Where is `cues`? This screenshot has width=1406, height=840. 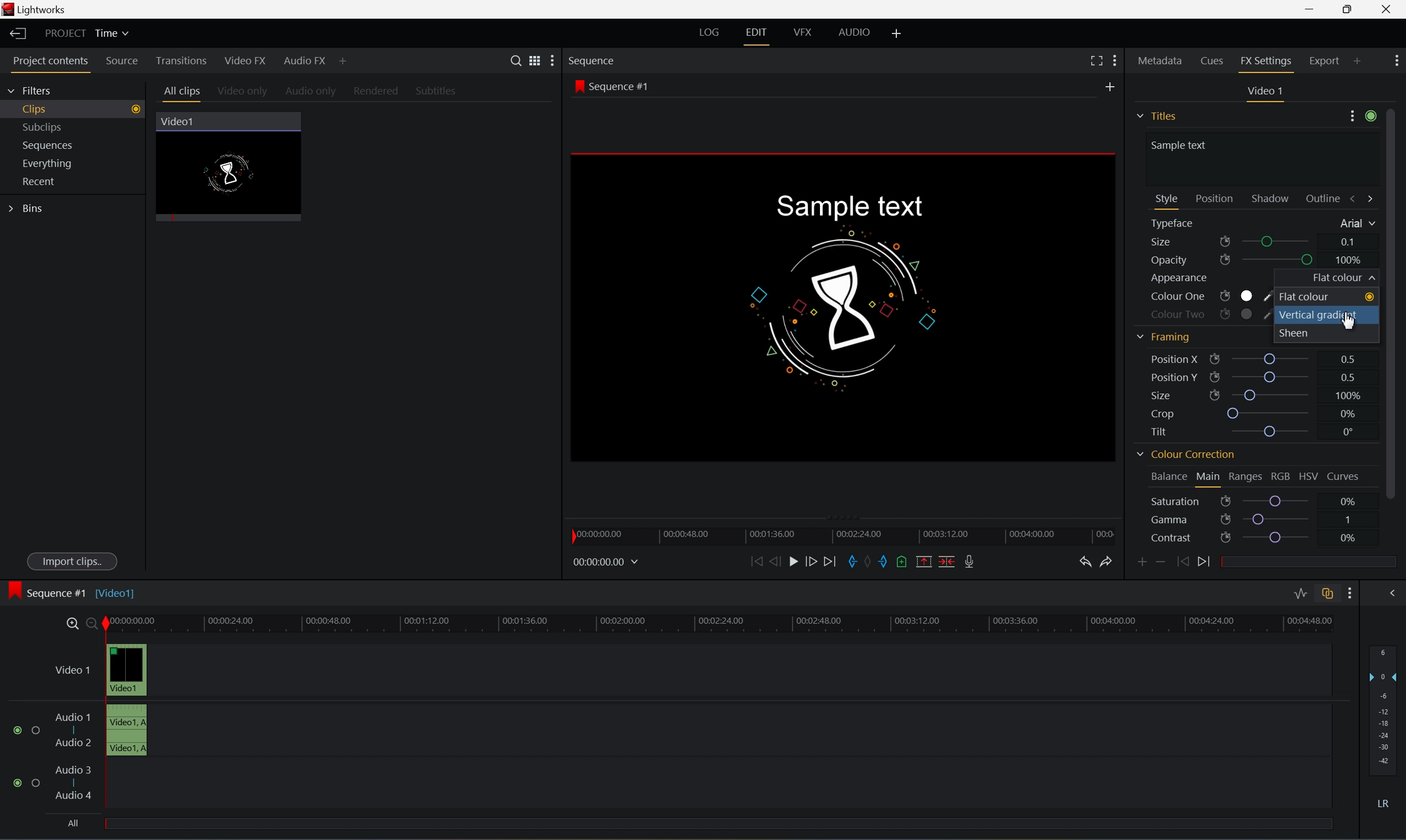 cues is located at coordinates (1213, 63).